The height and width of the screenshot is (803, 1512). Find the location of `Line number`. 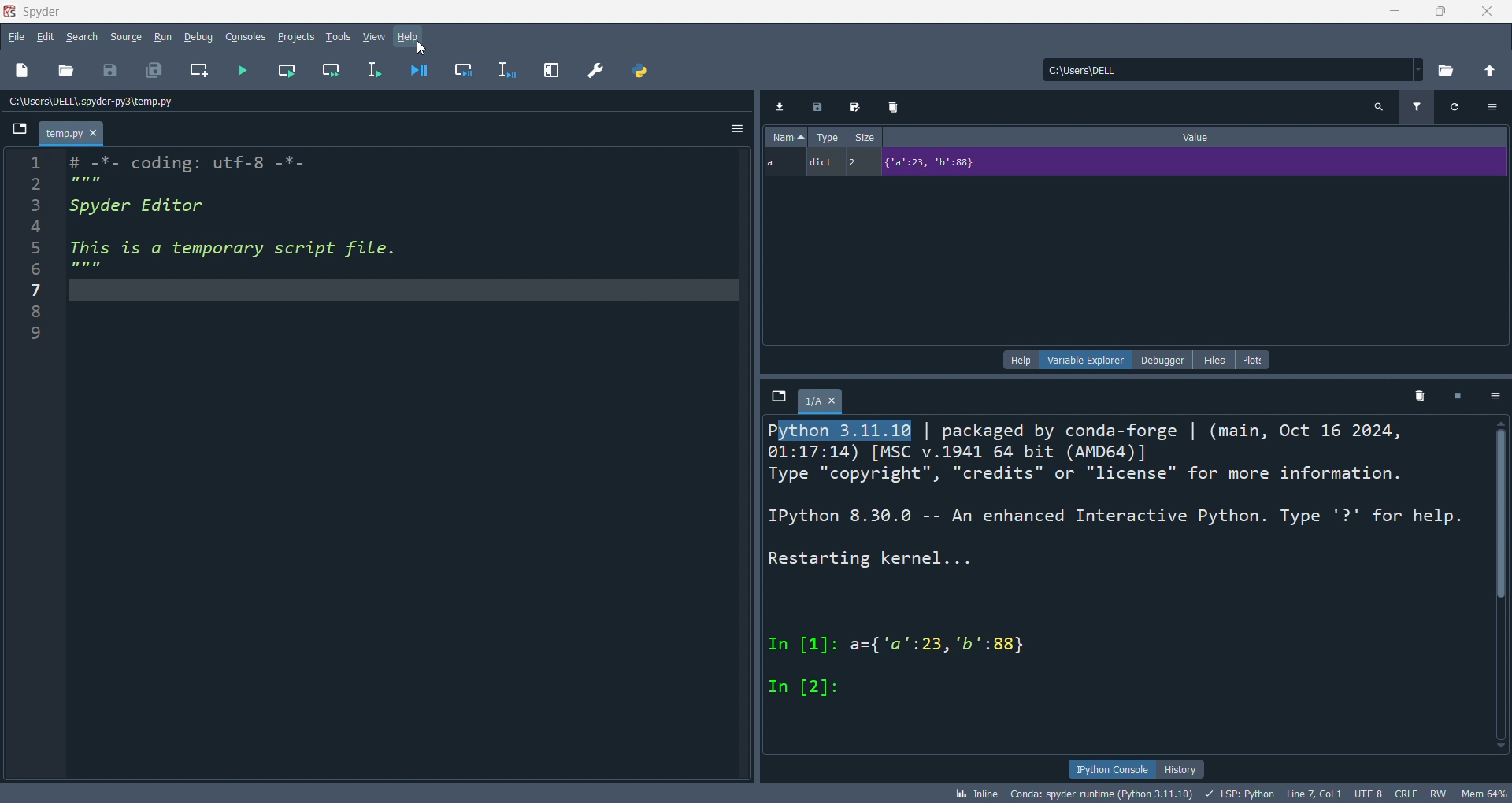

Line number is located at coordinates (36, 250).